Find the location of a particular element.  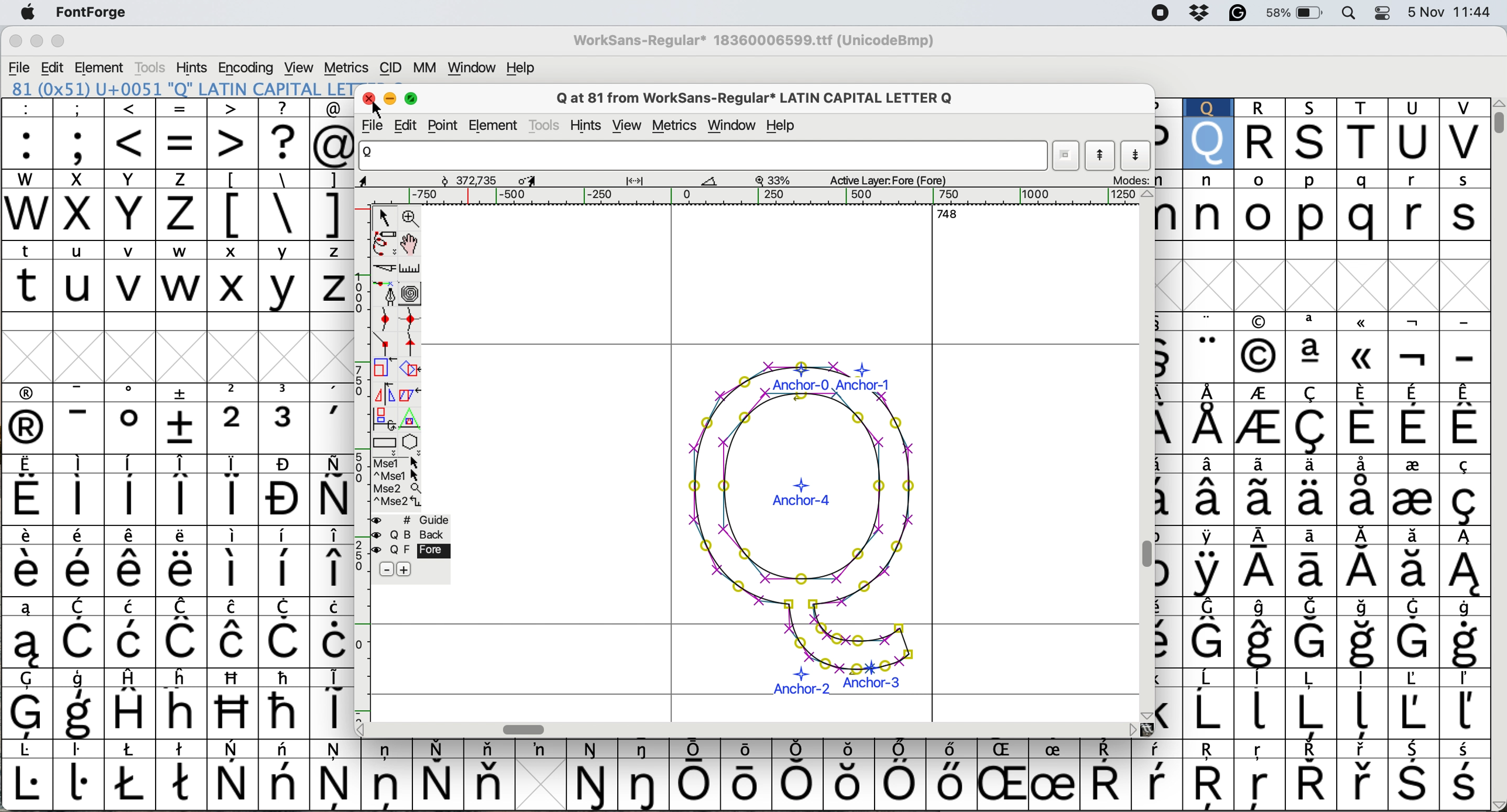

show previous letter is located at coordinates (1103, 158).